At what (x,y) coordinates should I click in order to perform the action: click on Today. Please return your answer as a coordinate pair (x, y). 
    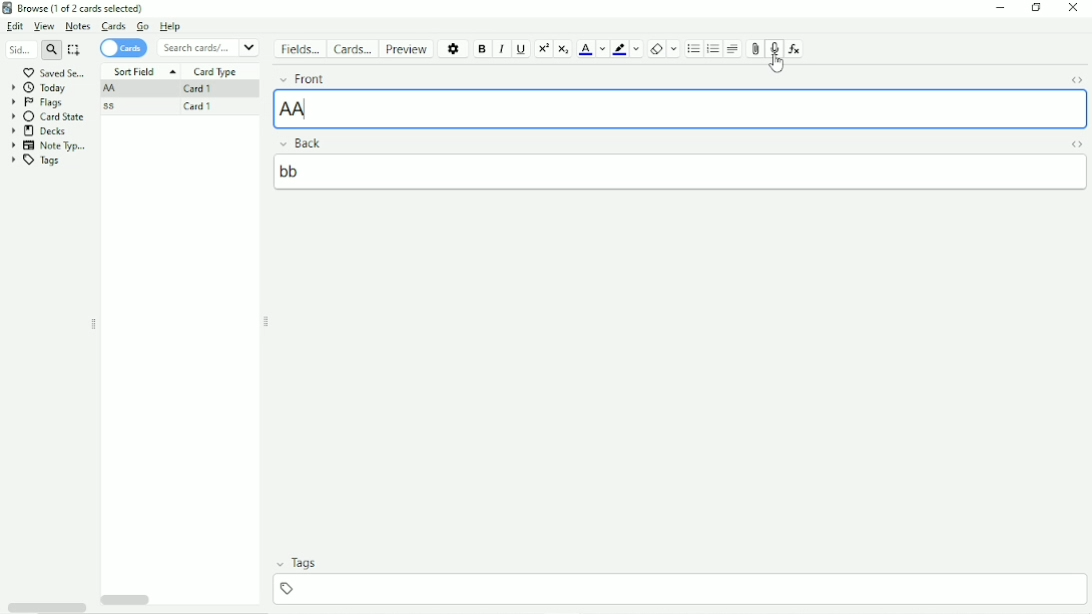
    Looking at the image, I should click on (41, 89).